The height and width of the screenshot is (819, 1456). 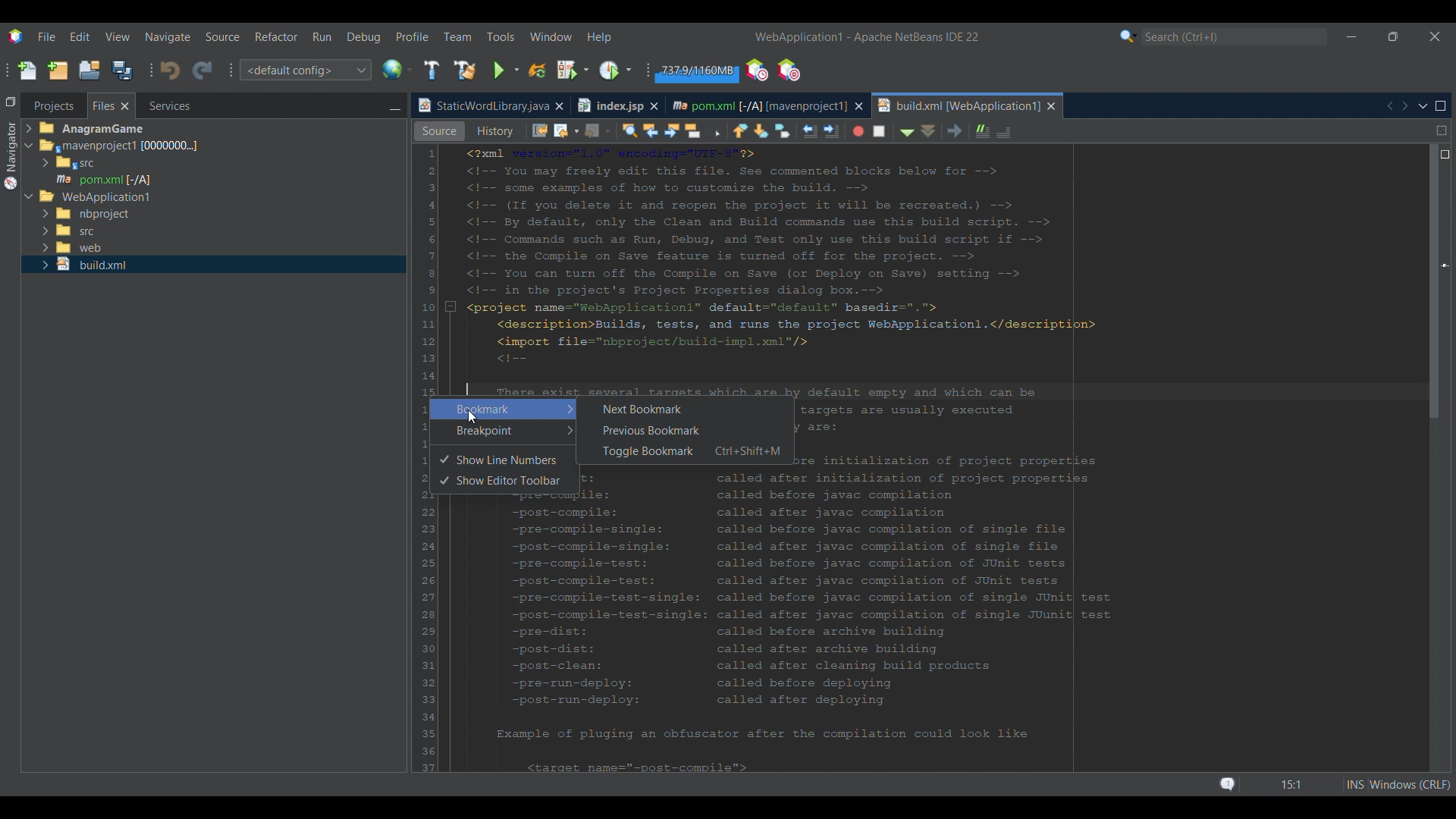 What do you see at coordinates (223, 37) in the screenshot?
I see `Source menu` at bounding box center [223, 37].